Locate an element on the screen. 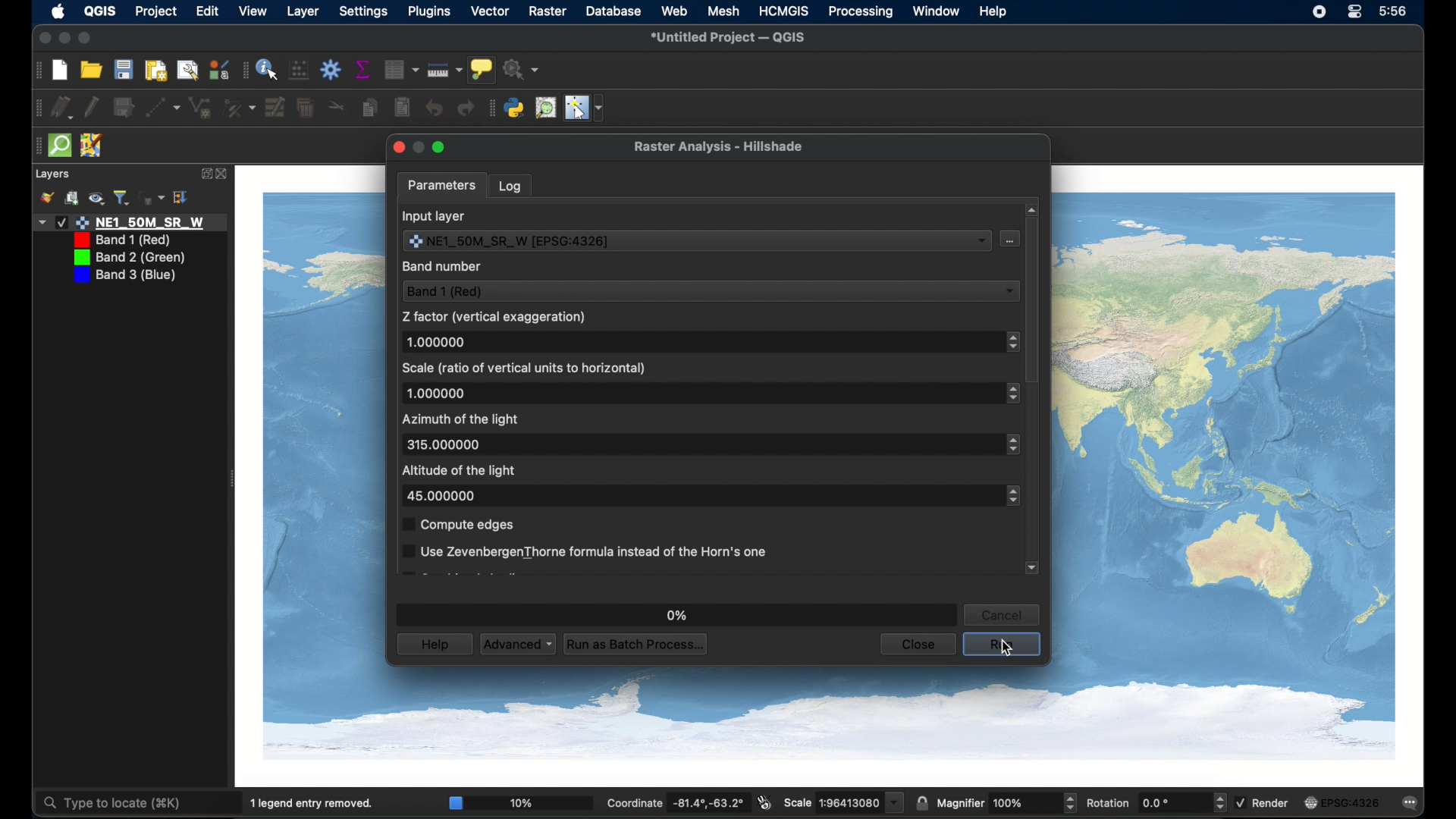 This screenshot has width=1456, height=819. minimize  is located at coordinates (61, 39).